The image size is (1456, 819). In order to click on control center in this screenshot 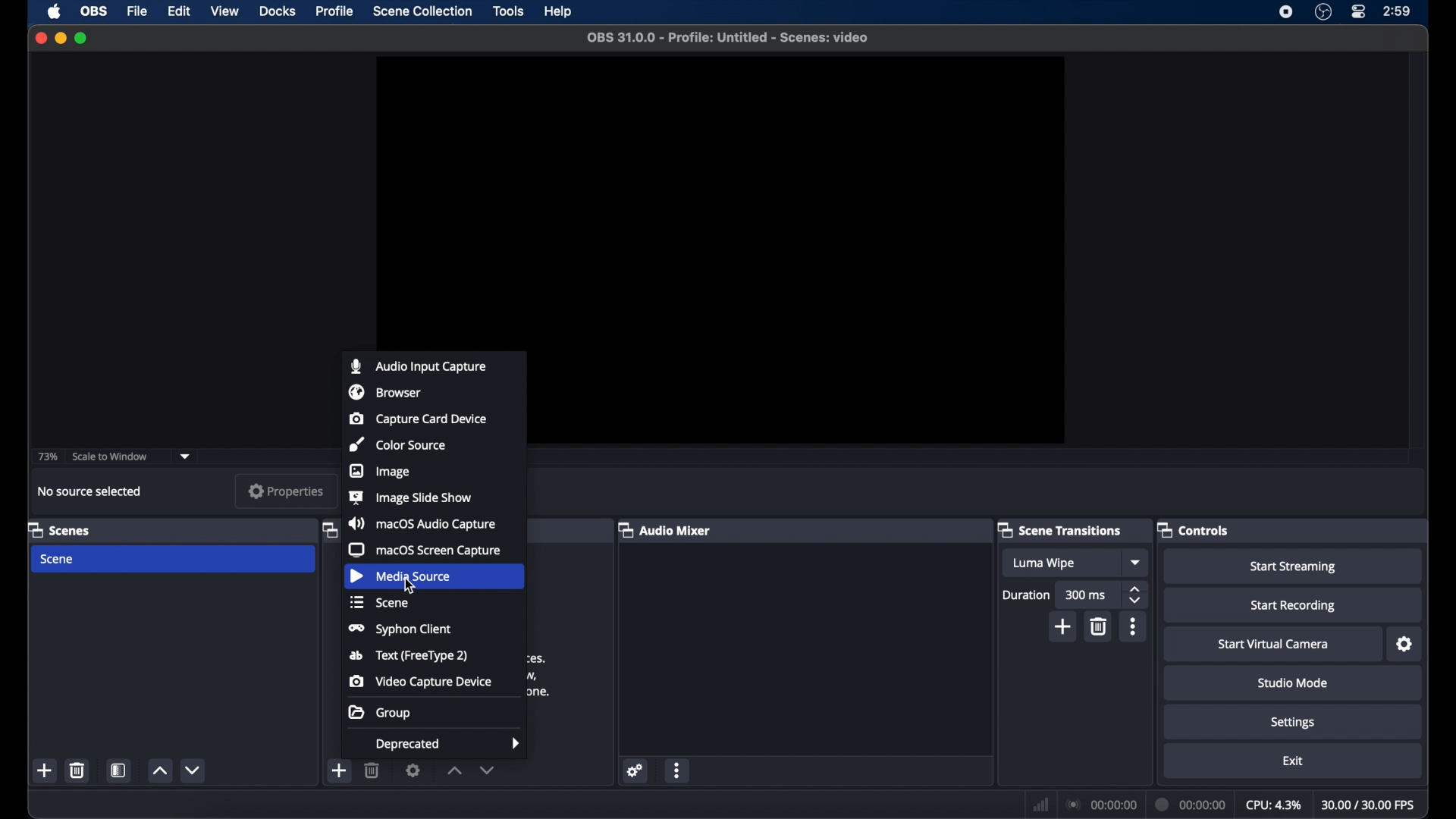, I will do `click(1357, 12)`.